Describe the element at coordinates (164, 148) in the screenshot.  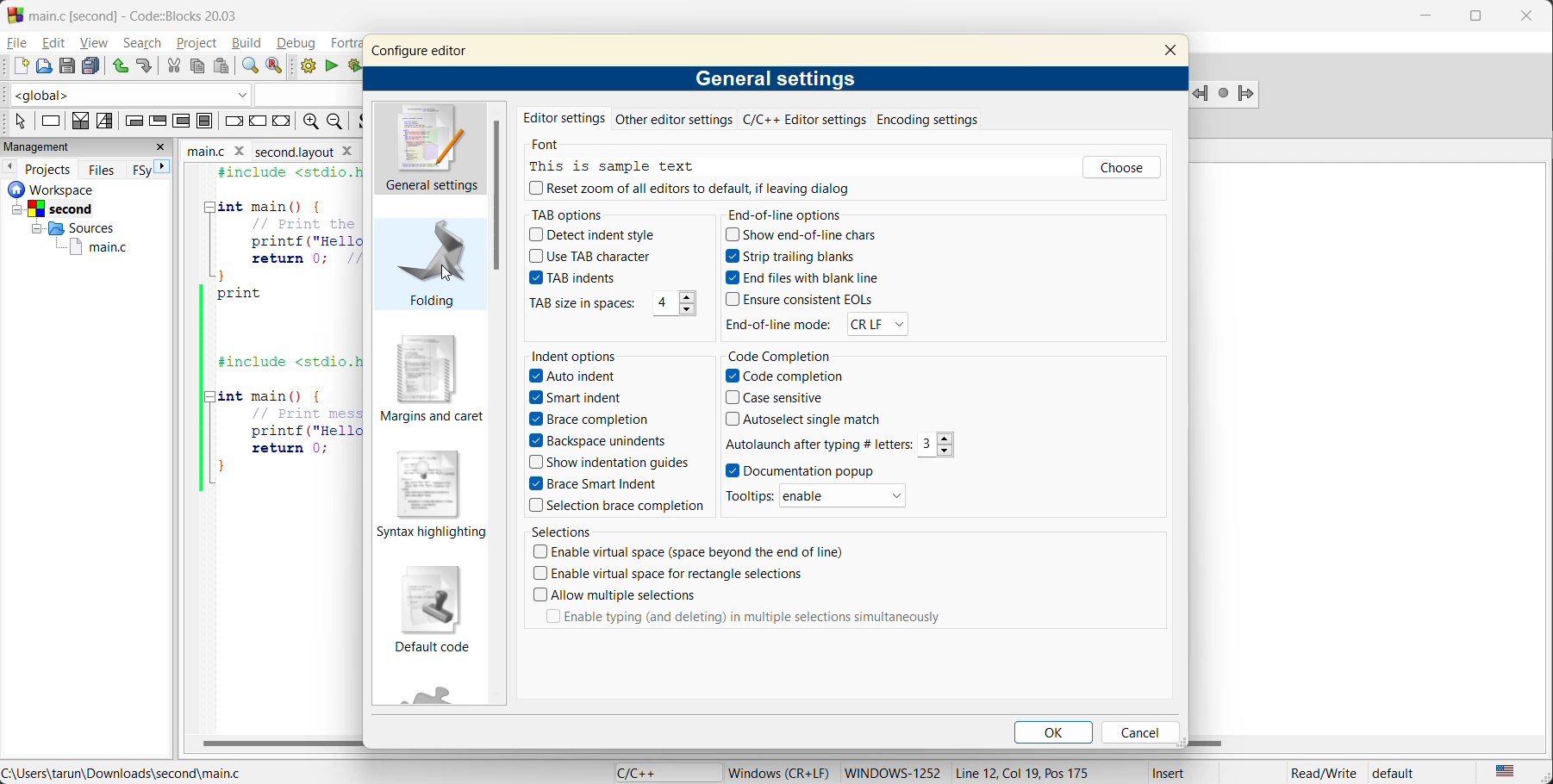
I see `close` at that location.